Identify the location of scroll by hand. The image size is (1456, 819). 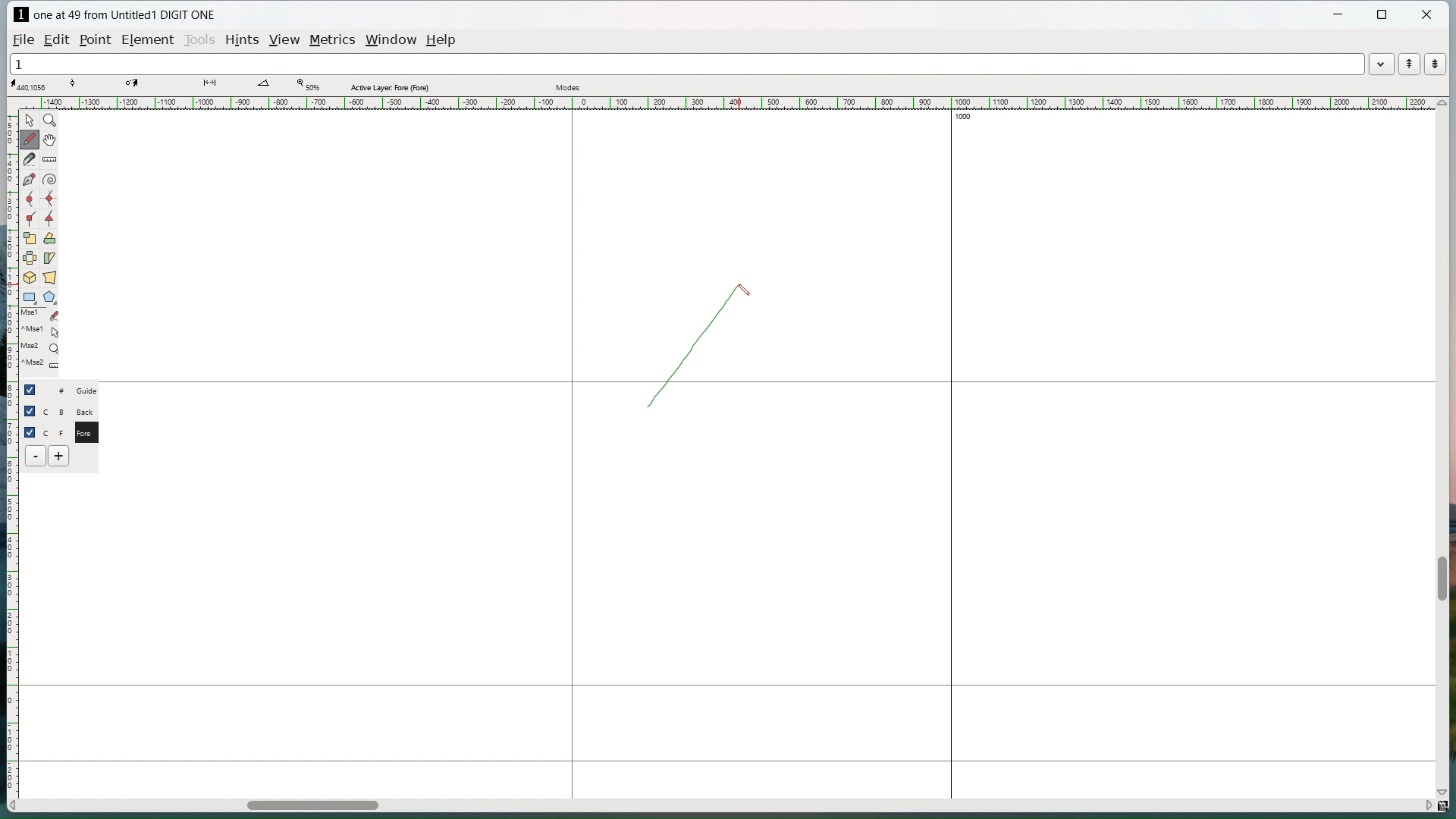
(52, 139).